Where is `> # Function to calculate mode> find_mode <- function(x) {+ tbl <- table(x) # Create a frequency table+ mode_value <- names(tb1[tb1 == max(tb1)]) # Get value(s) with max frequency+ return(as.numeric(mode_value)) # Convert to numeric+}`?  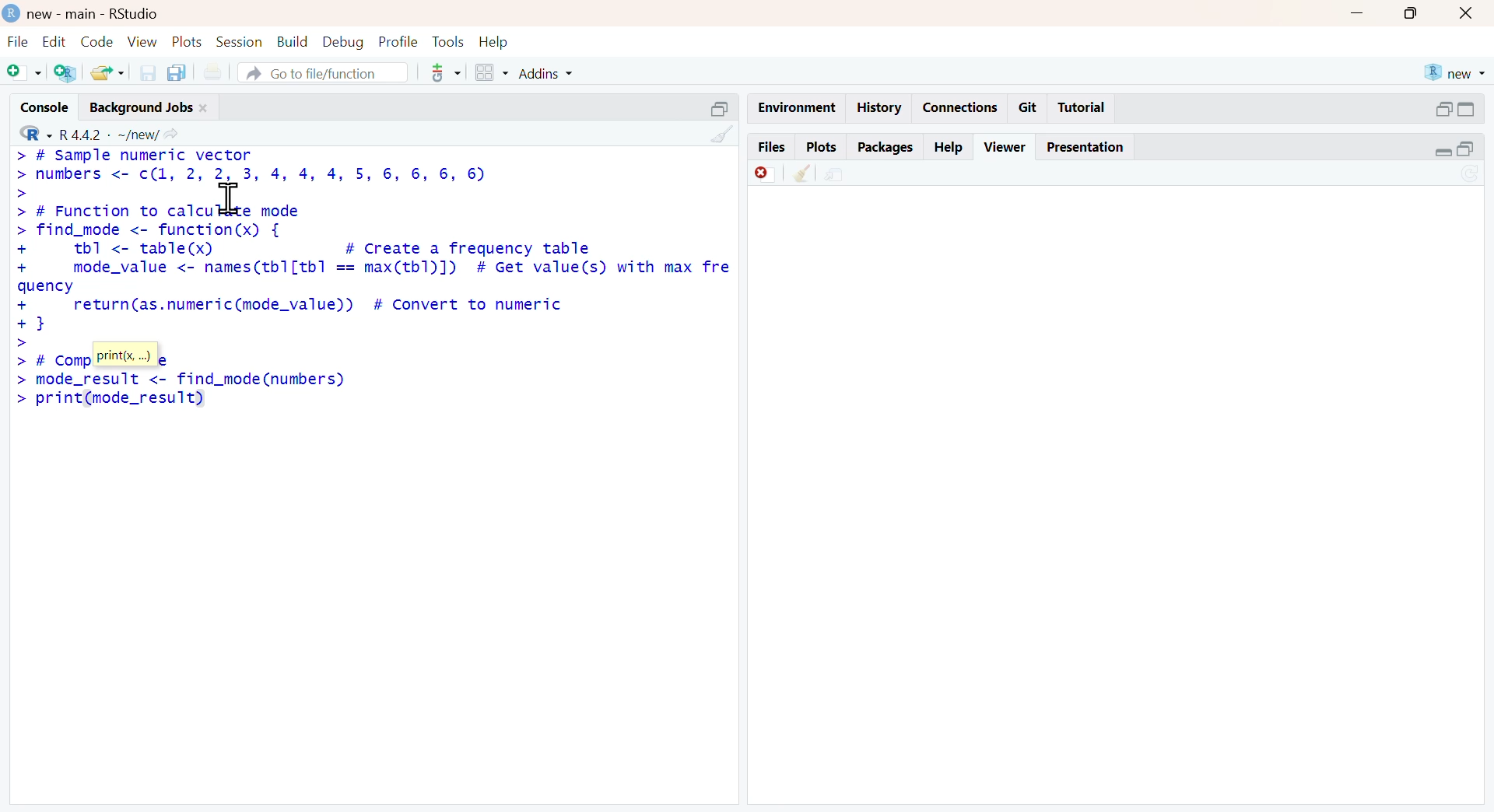 > # Function to calculate mode> find_mode <- function(x) {+ tbl <- table(x) # Create a frequency table+ mode_value <- names(tb1[tb1 == max(tb1)]) # Get value(s) with max frequency+ return(as.numeric(mode_value)) # Convert to numeric+} is located at coordinates (373, 268).